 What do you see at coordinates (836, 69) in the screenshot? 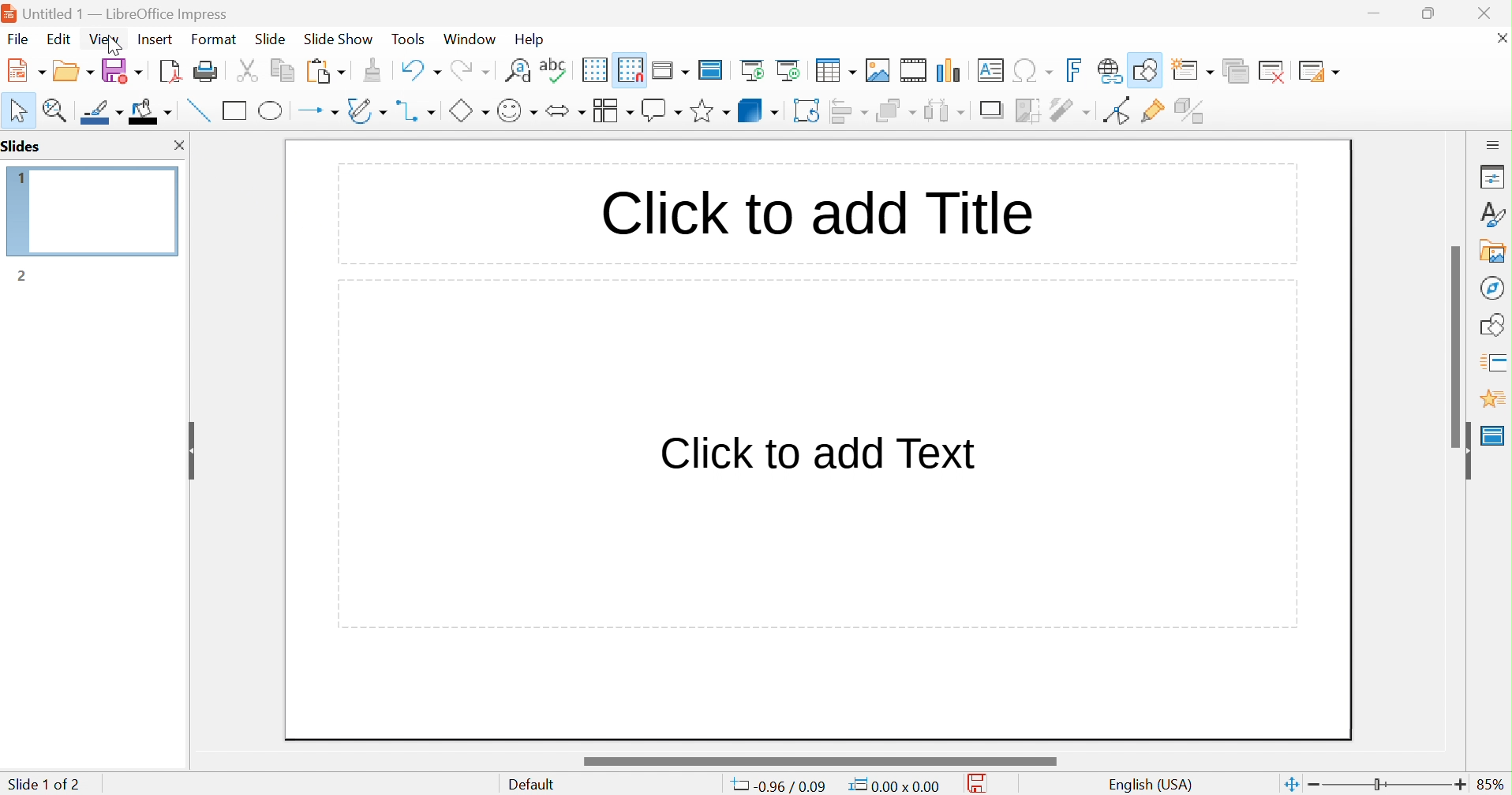
I see `table` at bounding box center [836, 69].